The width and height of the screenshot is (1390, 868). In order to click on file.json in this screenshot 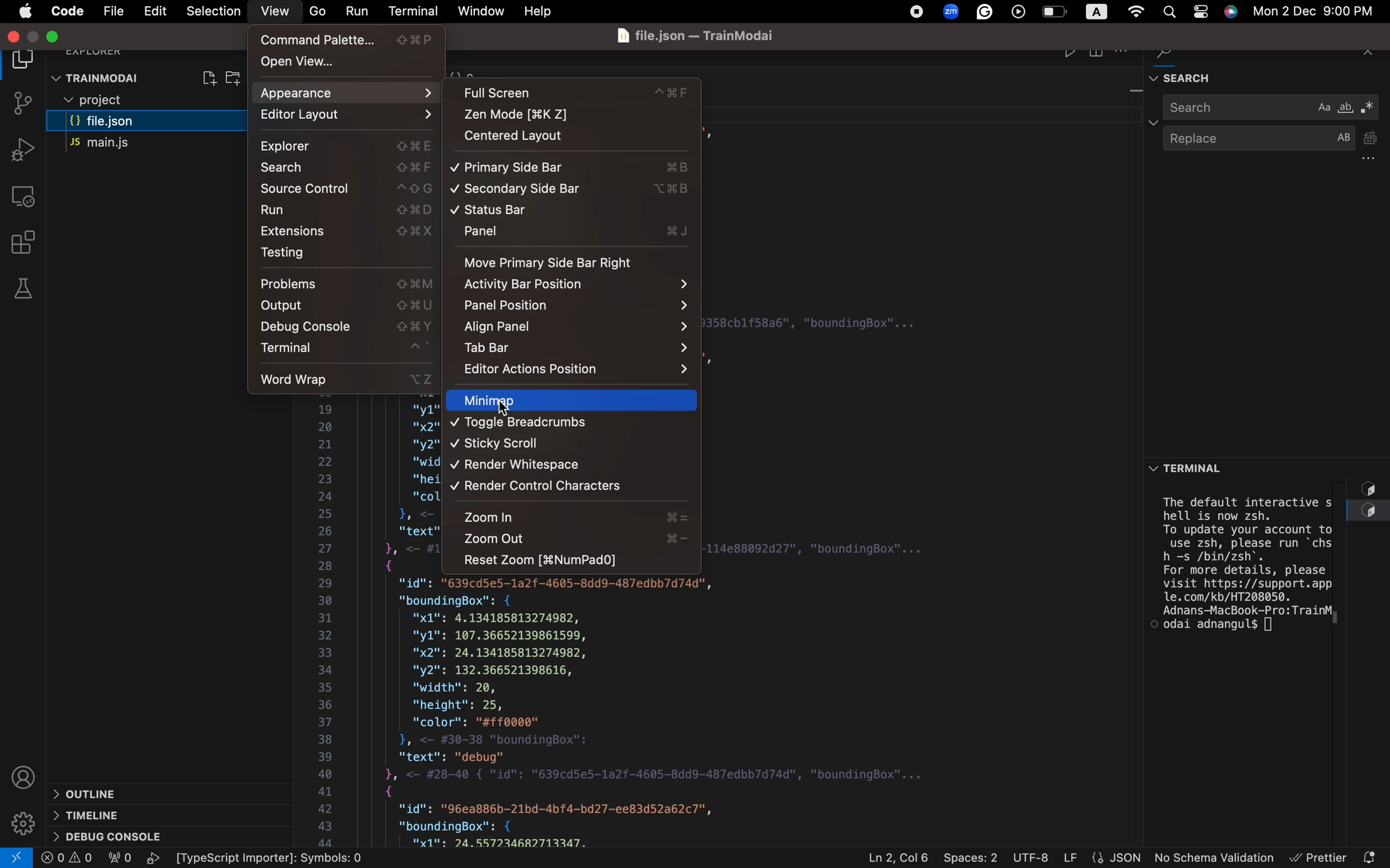, I will do `click(145, 122)`.